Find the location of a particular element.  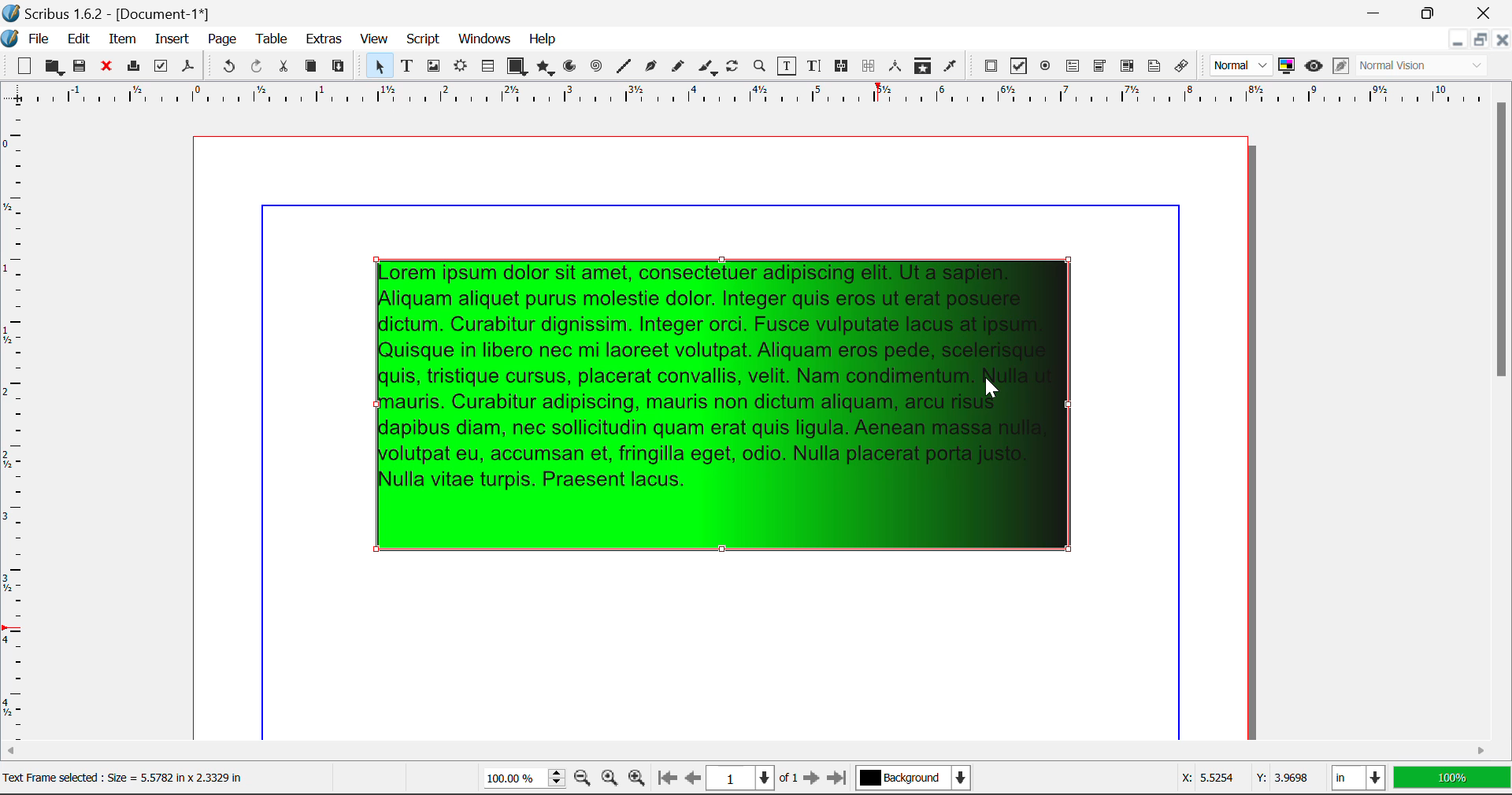

View is located at coordinates (374, 39).